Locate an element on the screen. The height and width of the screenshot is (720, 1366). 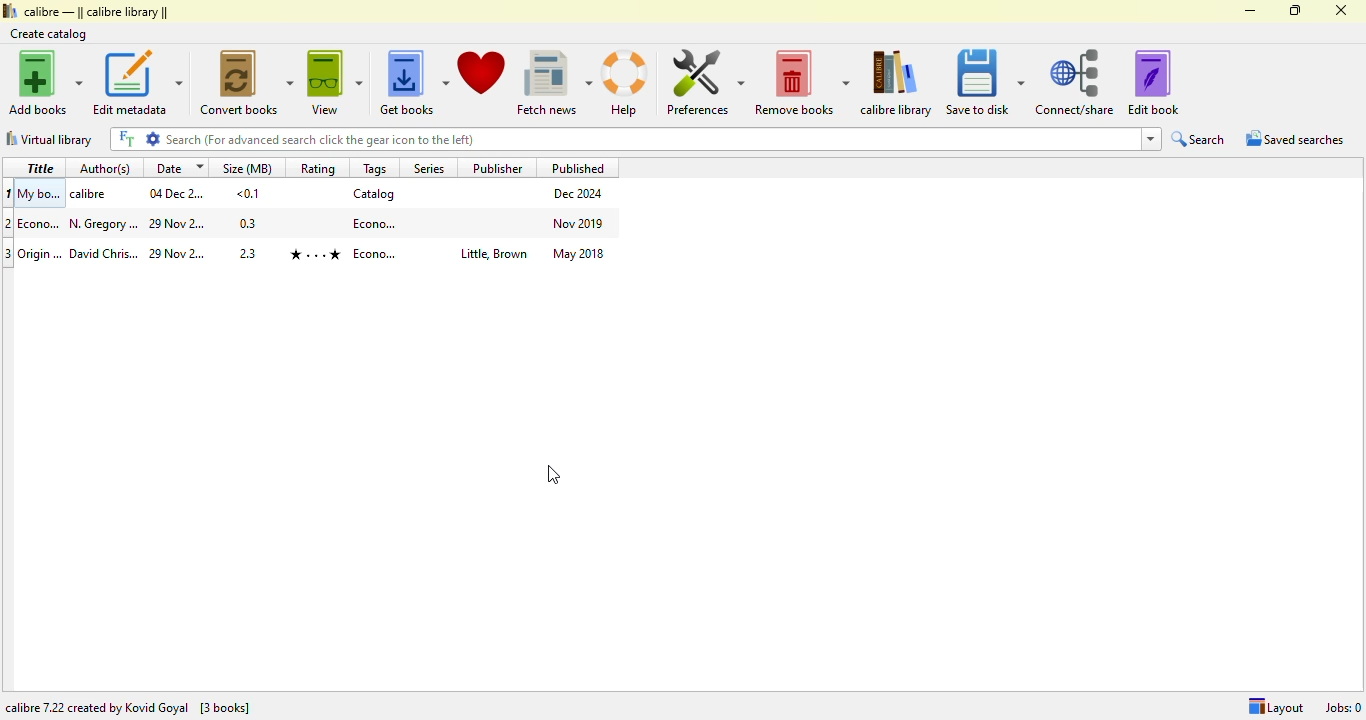
search is located at coordinates (1199, 139).